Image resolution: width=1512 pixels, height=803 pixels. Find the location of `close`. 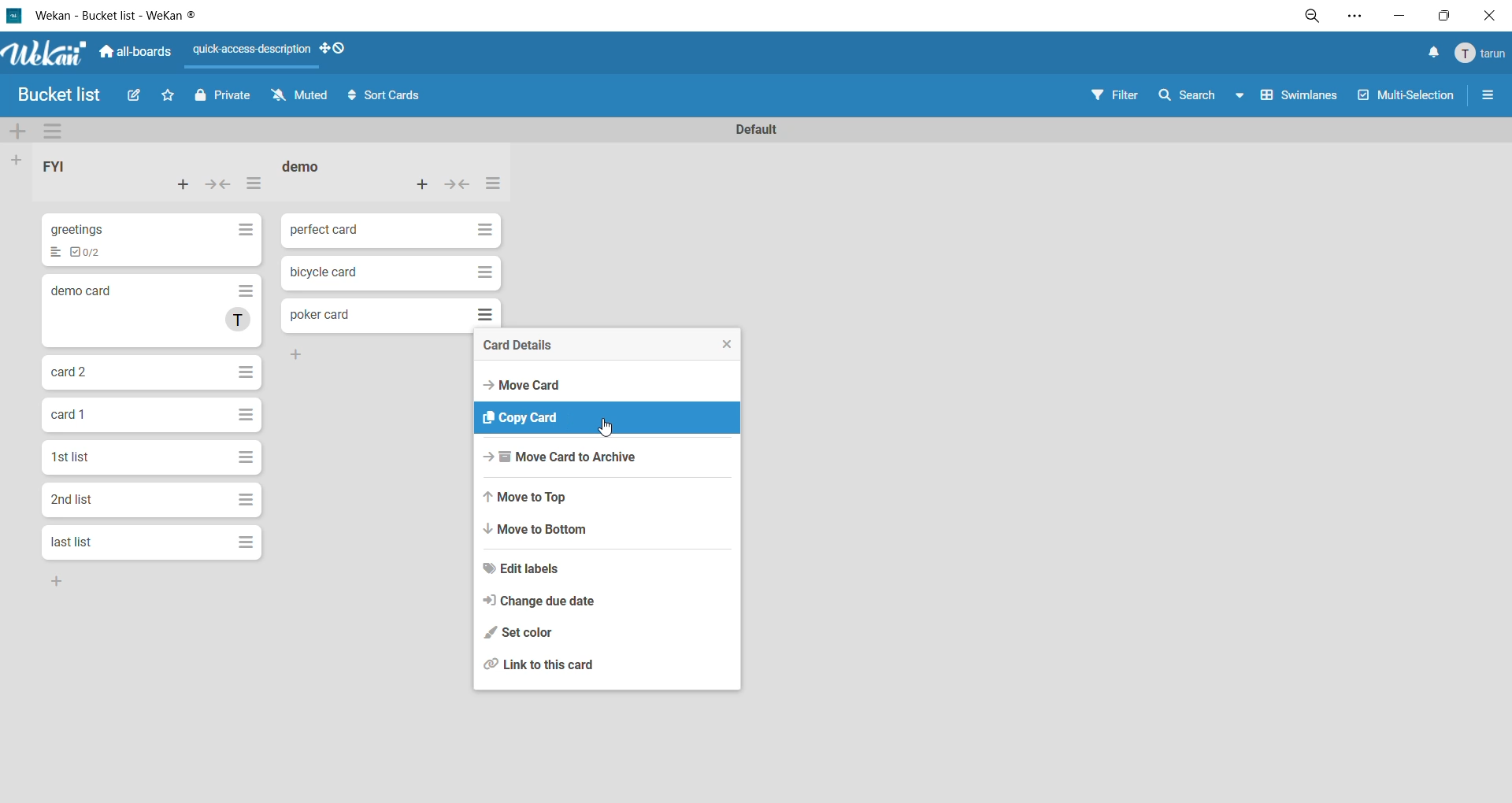

close is located at coordinates (721, 344).